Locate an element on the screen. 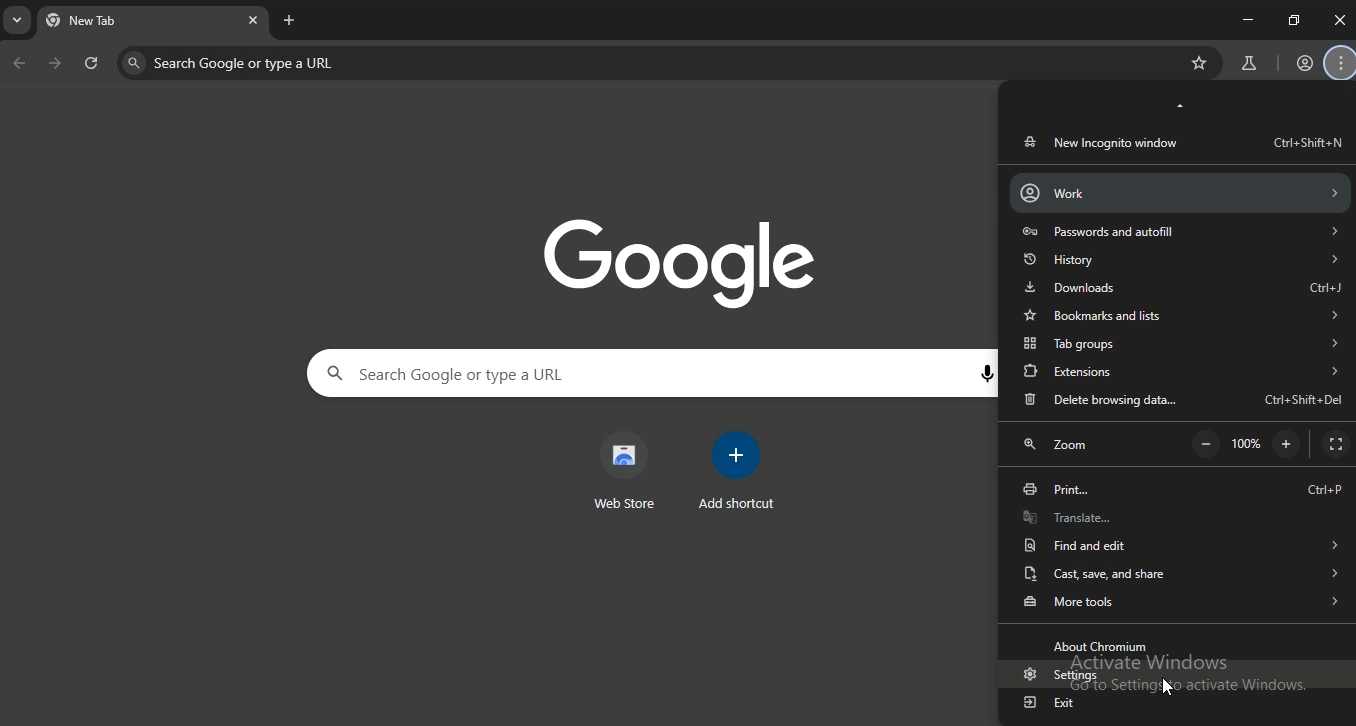  text is located at coordinates (1104, 646).